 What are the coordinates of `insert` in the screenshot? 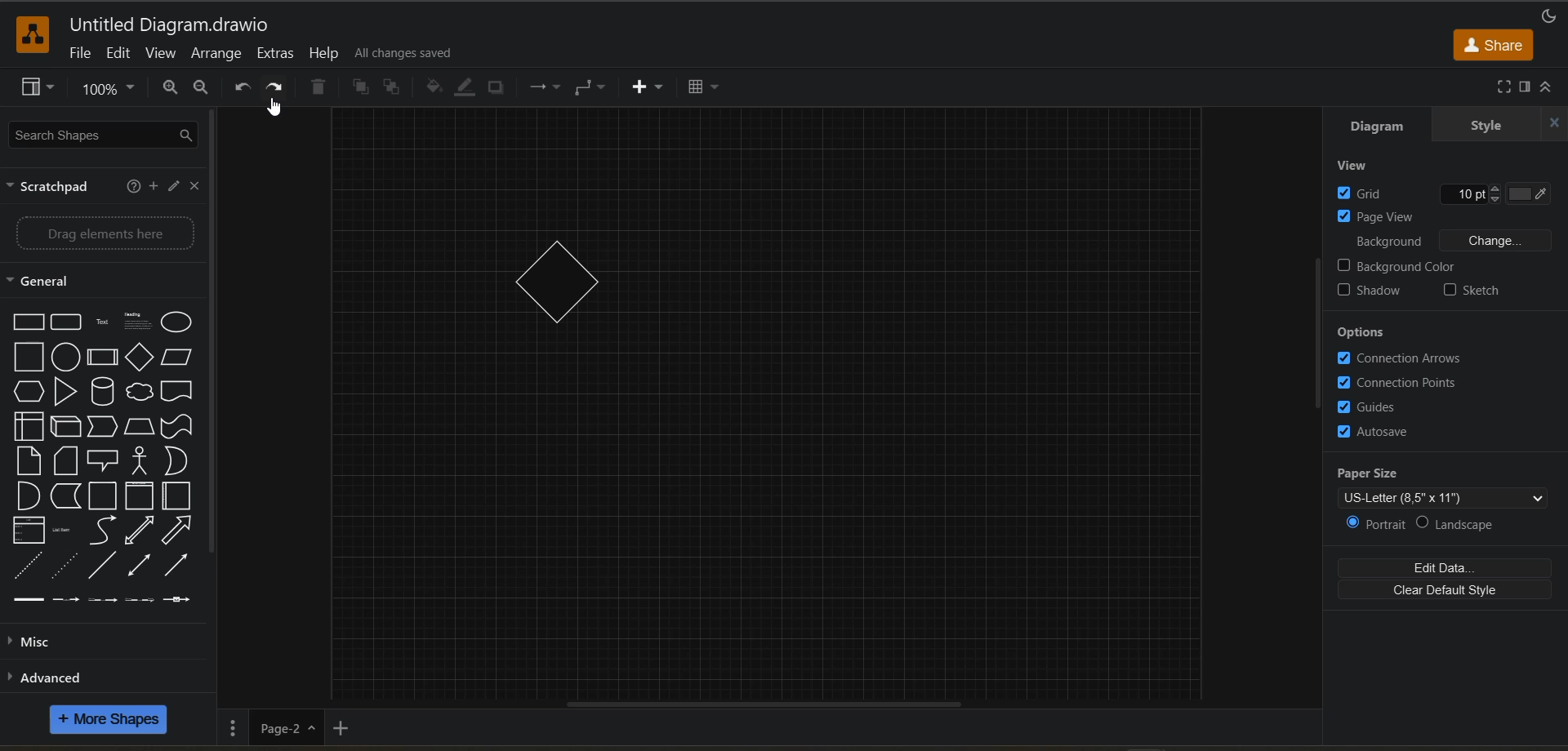 It's located at (652, 88).